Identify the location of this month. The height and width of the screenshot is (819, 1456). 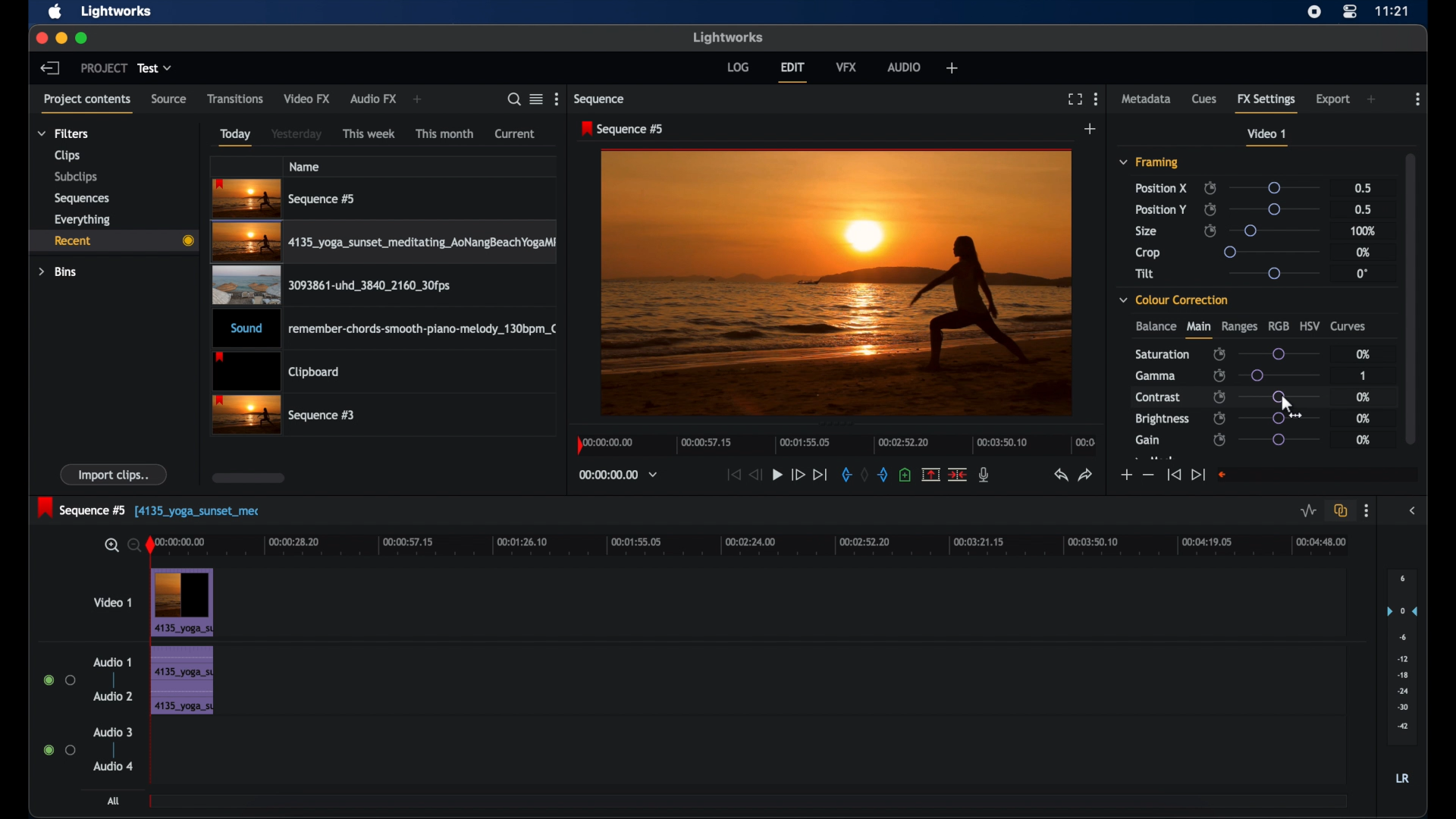
(444, 133).